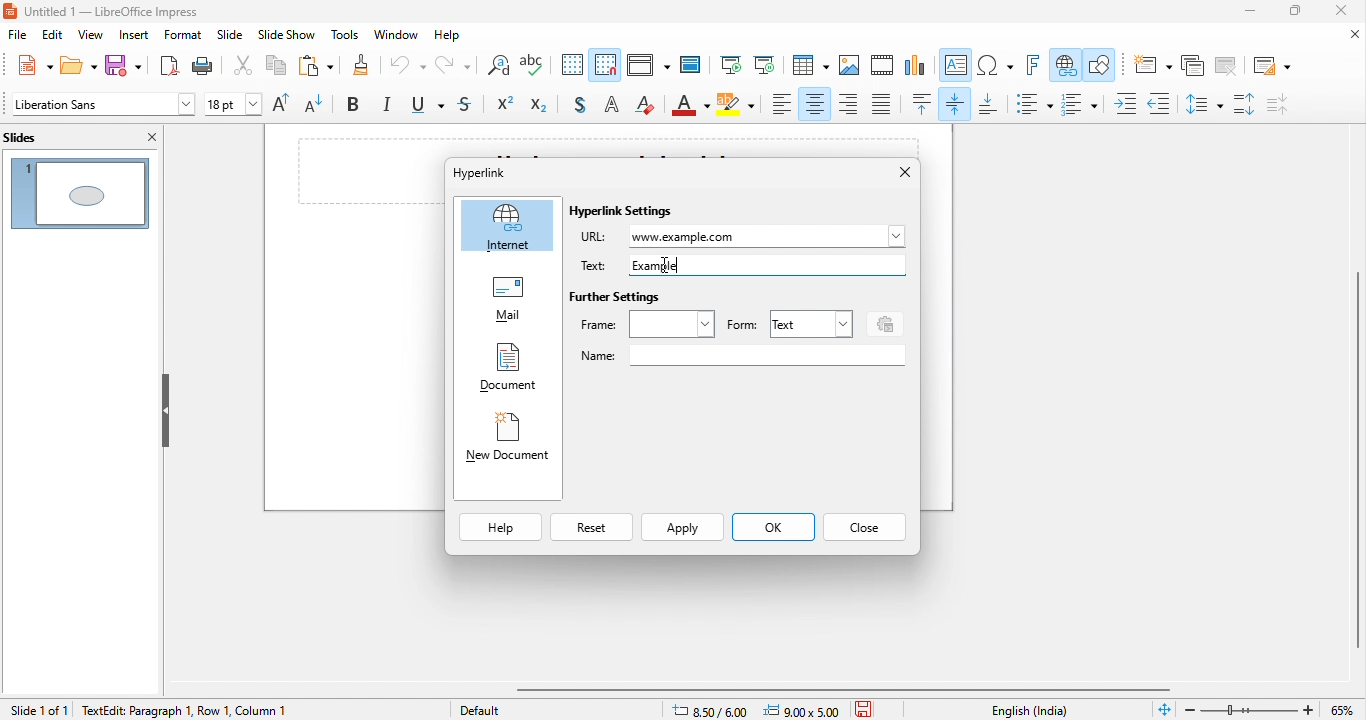  I want to click on start from first slide, so click(730, 66).